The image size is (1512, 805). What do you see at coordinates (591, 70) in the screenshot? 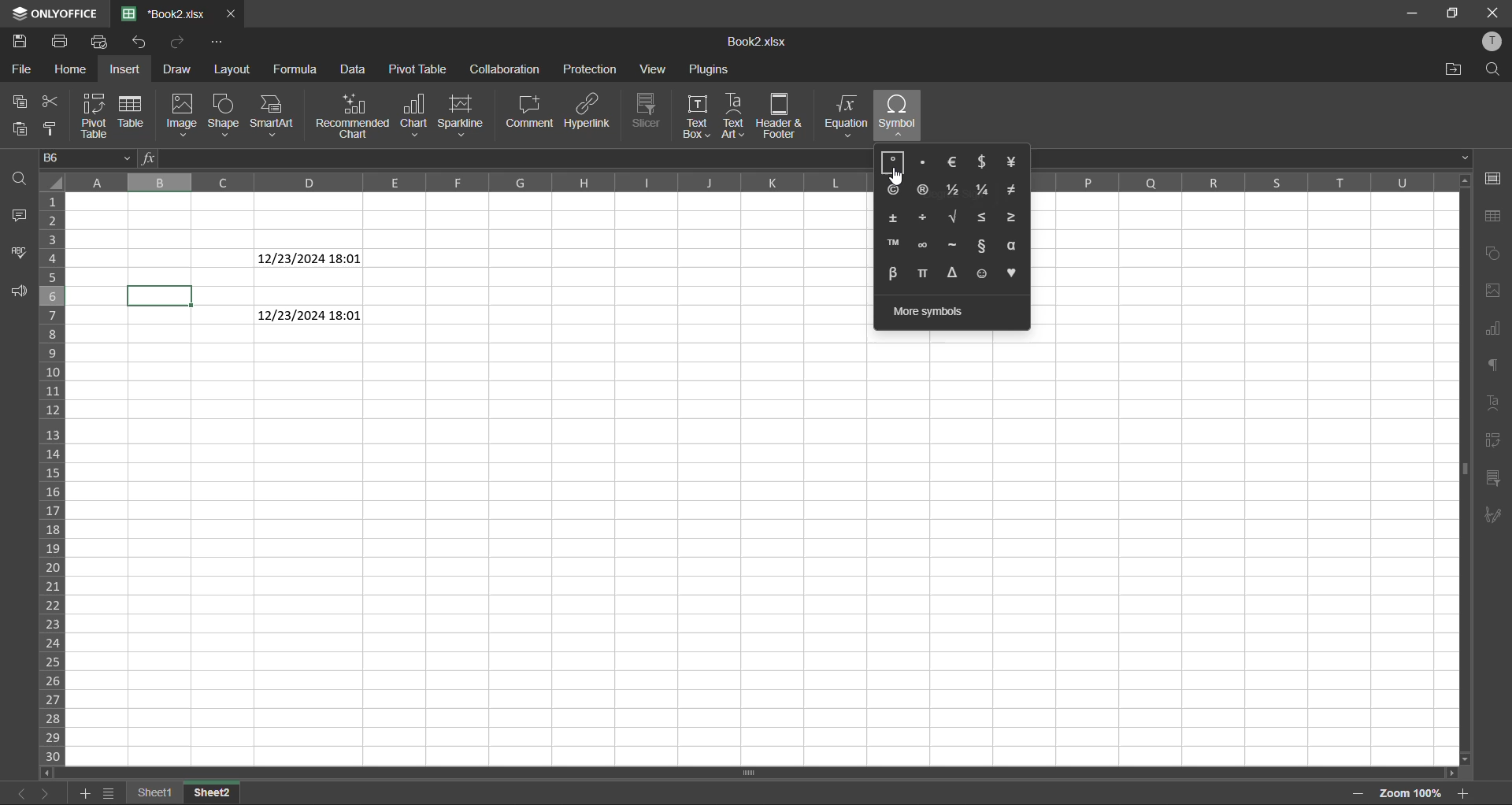
I see `protection` at bounding box center [591, 70].